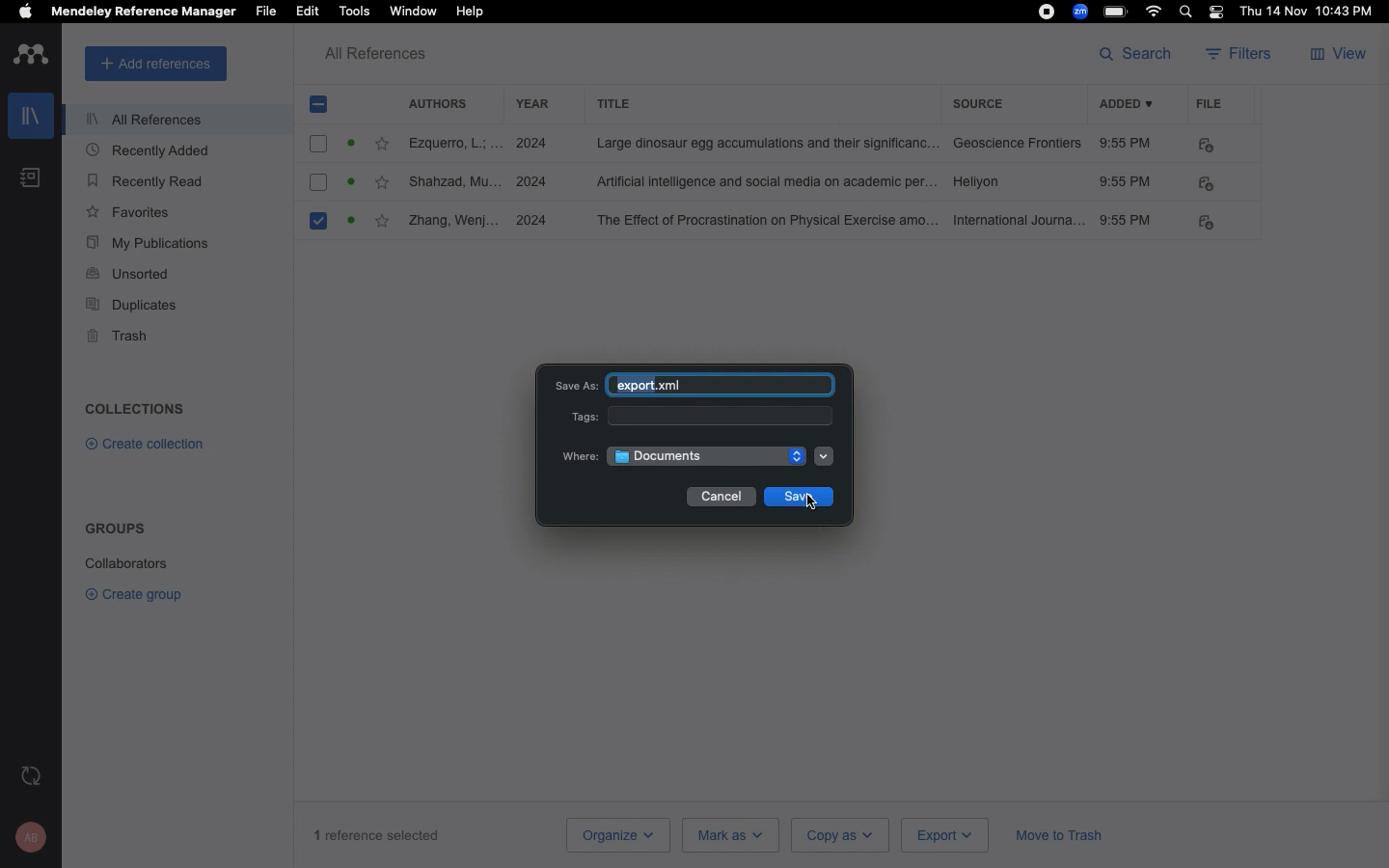  I want to click on Add references, so click(155, 64).